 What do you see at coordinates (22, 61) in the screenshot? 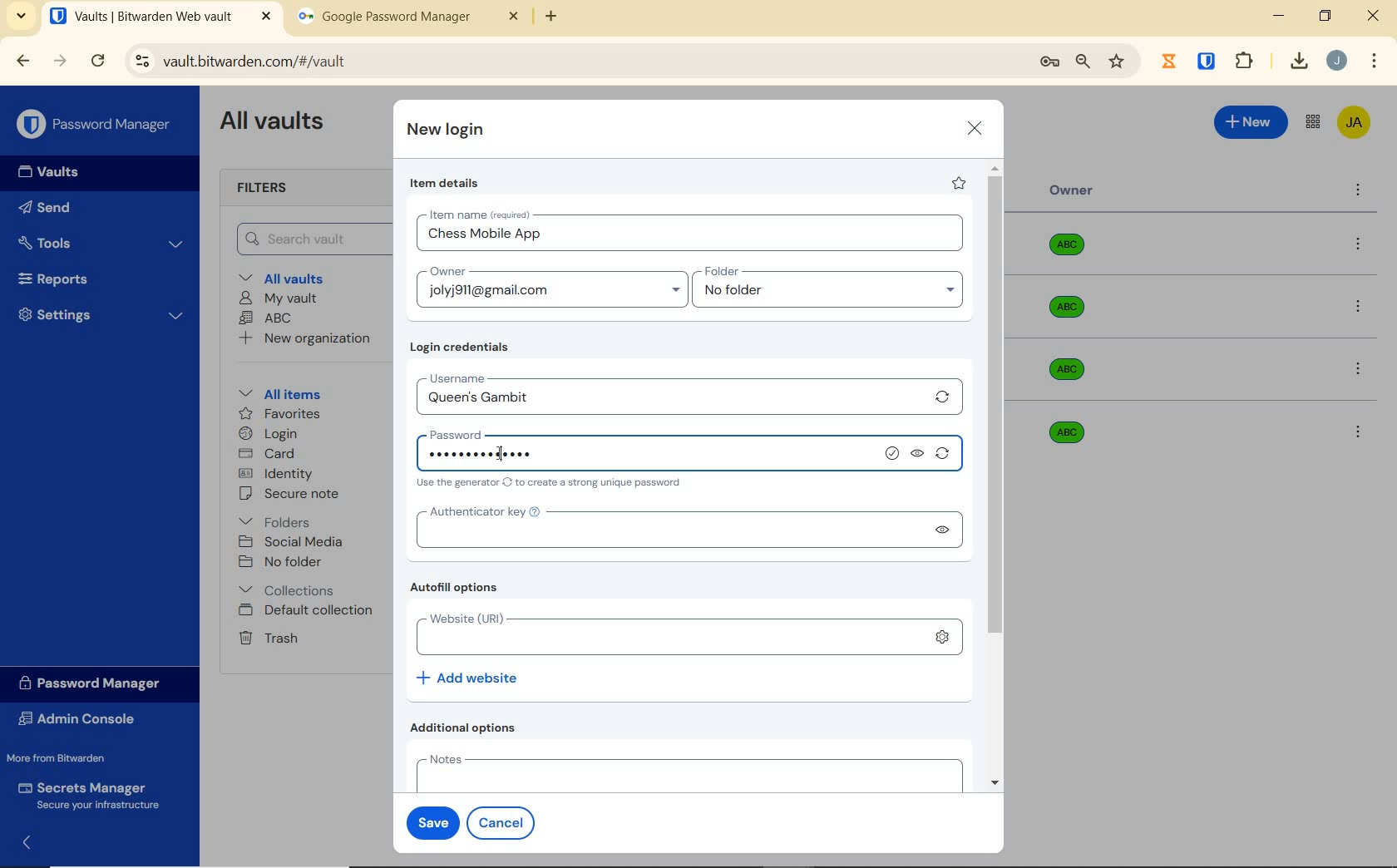
I see `backward` at bounding box center [22, 61].